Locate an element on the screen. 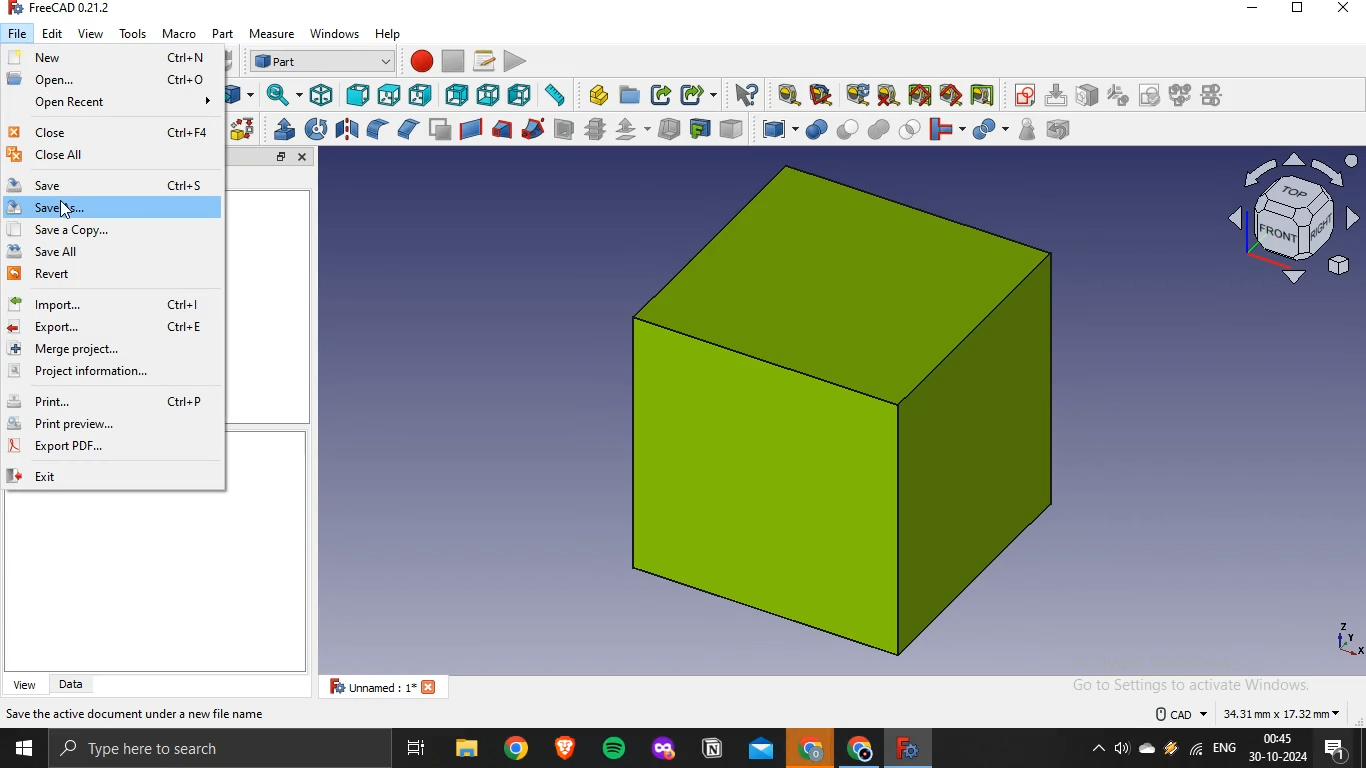  brave is located at coordinates (565, 748).